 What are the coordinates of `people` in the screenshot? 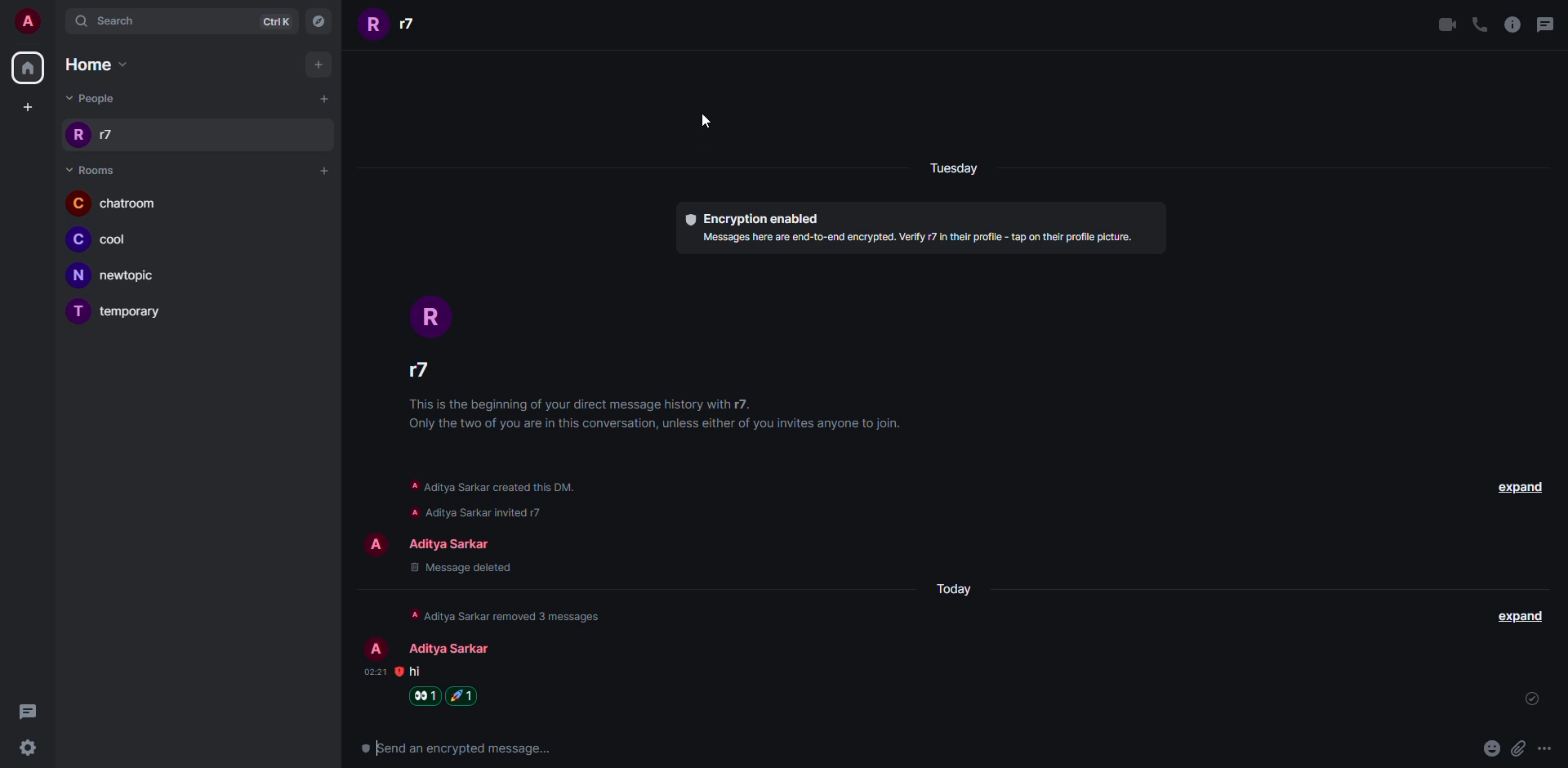 It's located at (94, 98).